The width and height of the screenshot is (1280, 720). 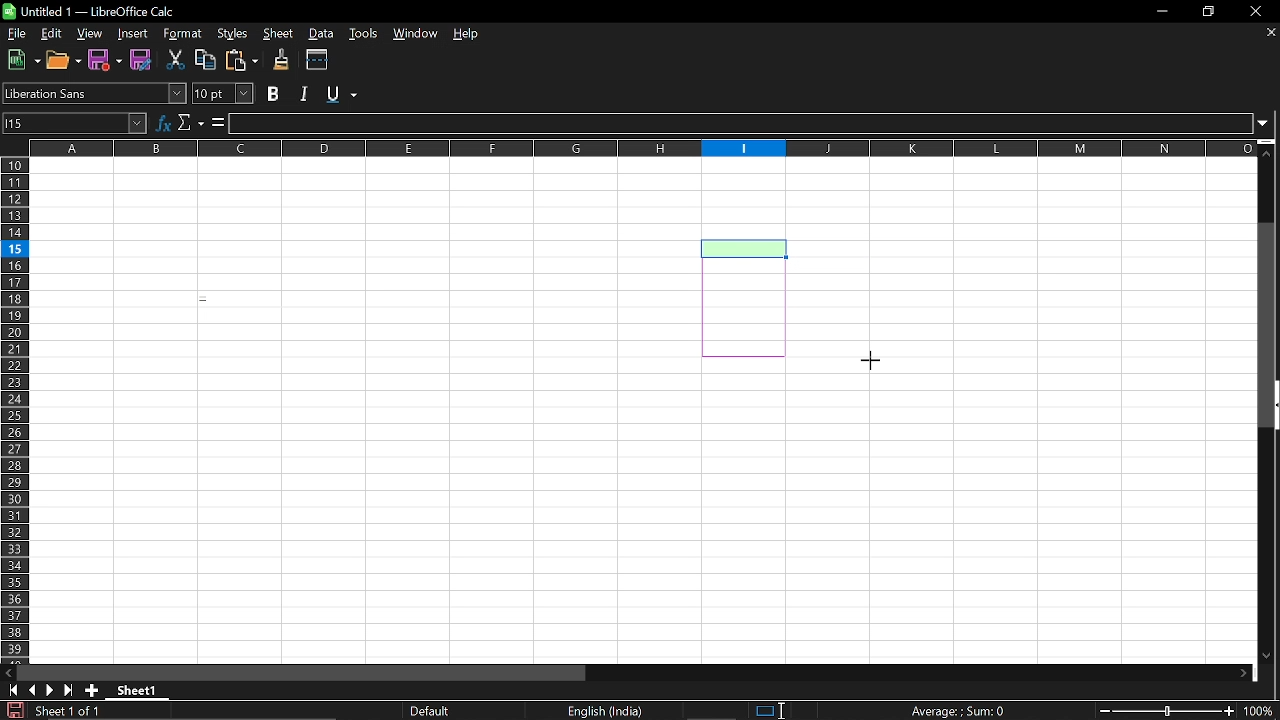 I want to click on Window, so click(x=417, y=35).